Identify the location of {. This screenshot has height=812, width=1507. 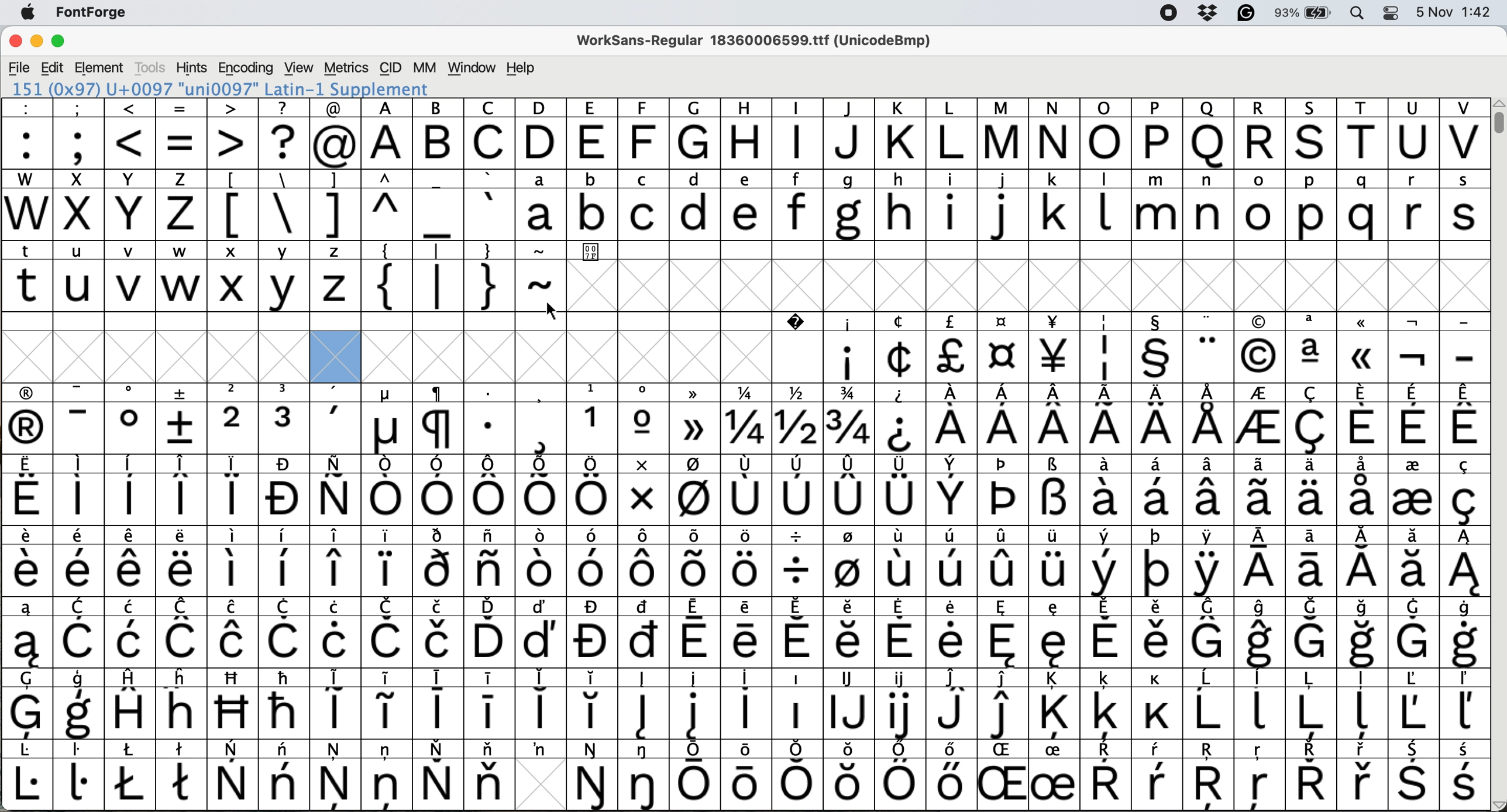
(387, 276).